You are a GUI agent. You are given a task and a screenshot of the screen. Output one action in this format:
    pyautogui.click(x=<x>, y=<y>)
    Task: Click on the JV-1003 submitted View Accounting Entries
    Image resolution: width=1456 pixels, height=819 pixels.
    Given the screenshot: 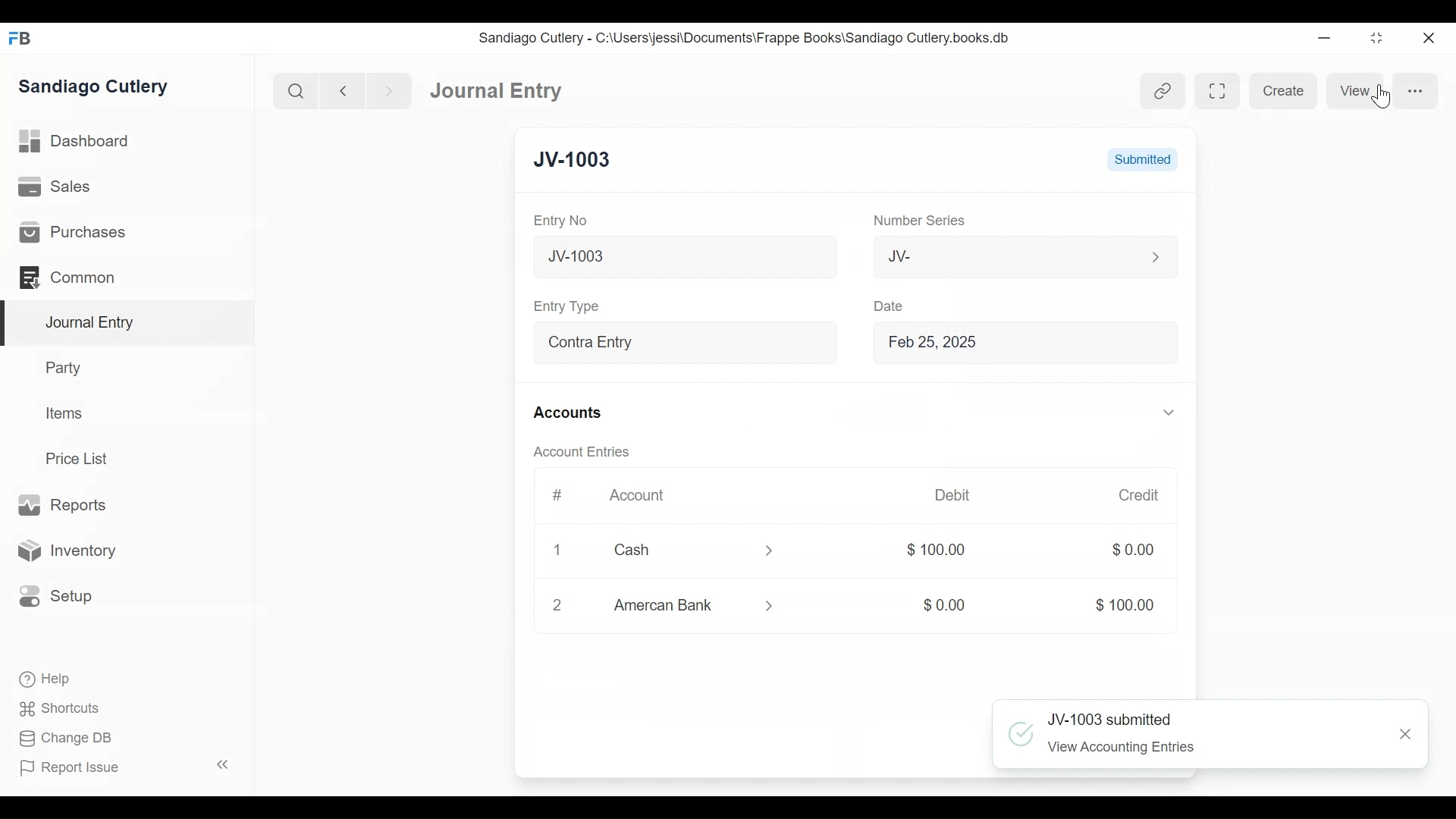 What is the action you would take?
    pyautogui.click(x=1191, y=733)
    